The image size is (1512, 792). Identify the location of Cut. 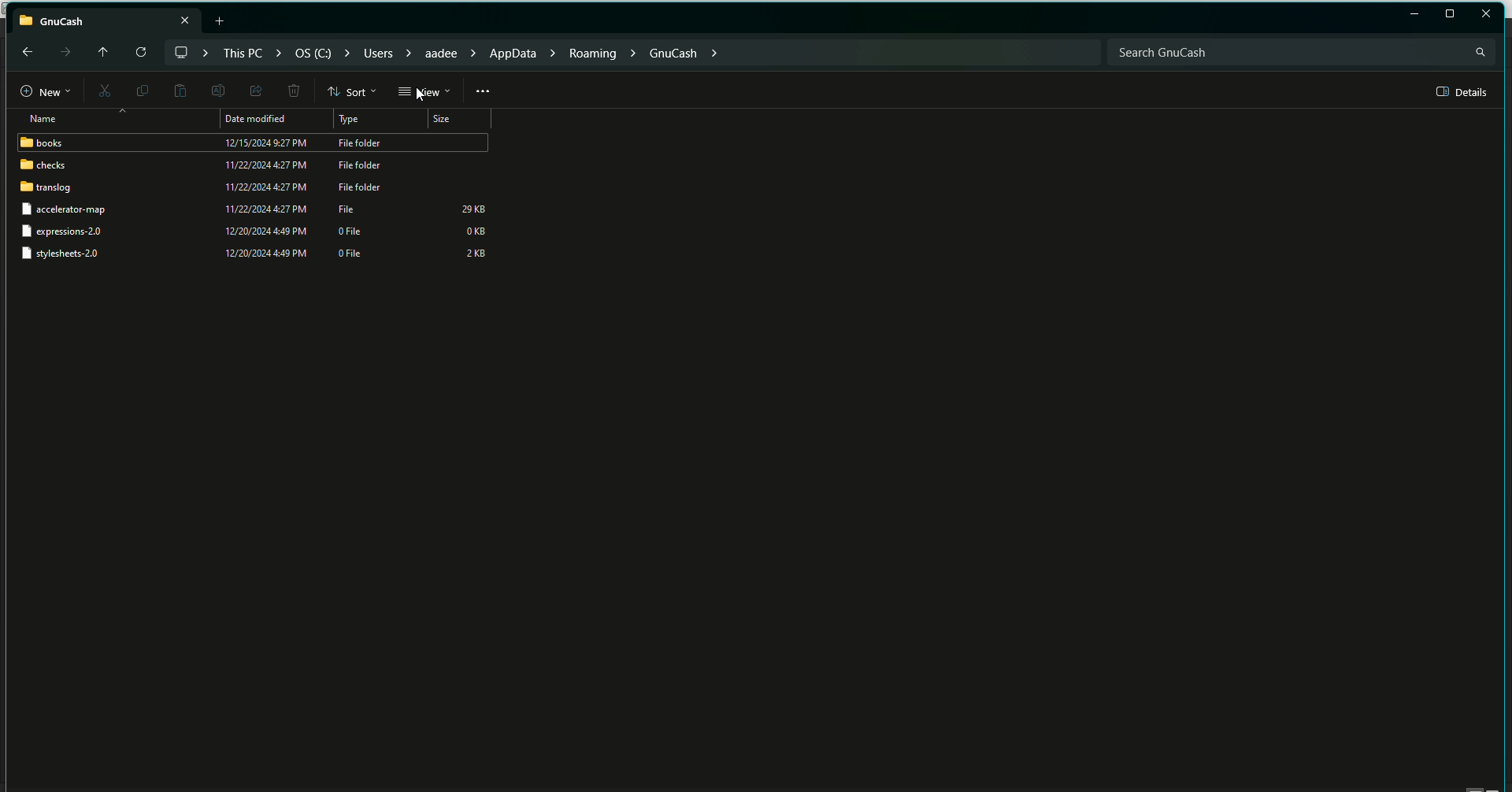
(102, 92).